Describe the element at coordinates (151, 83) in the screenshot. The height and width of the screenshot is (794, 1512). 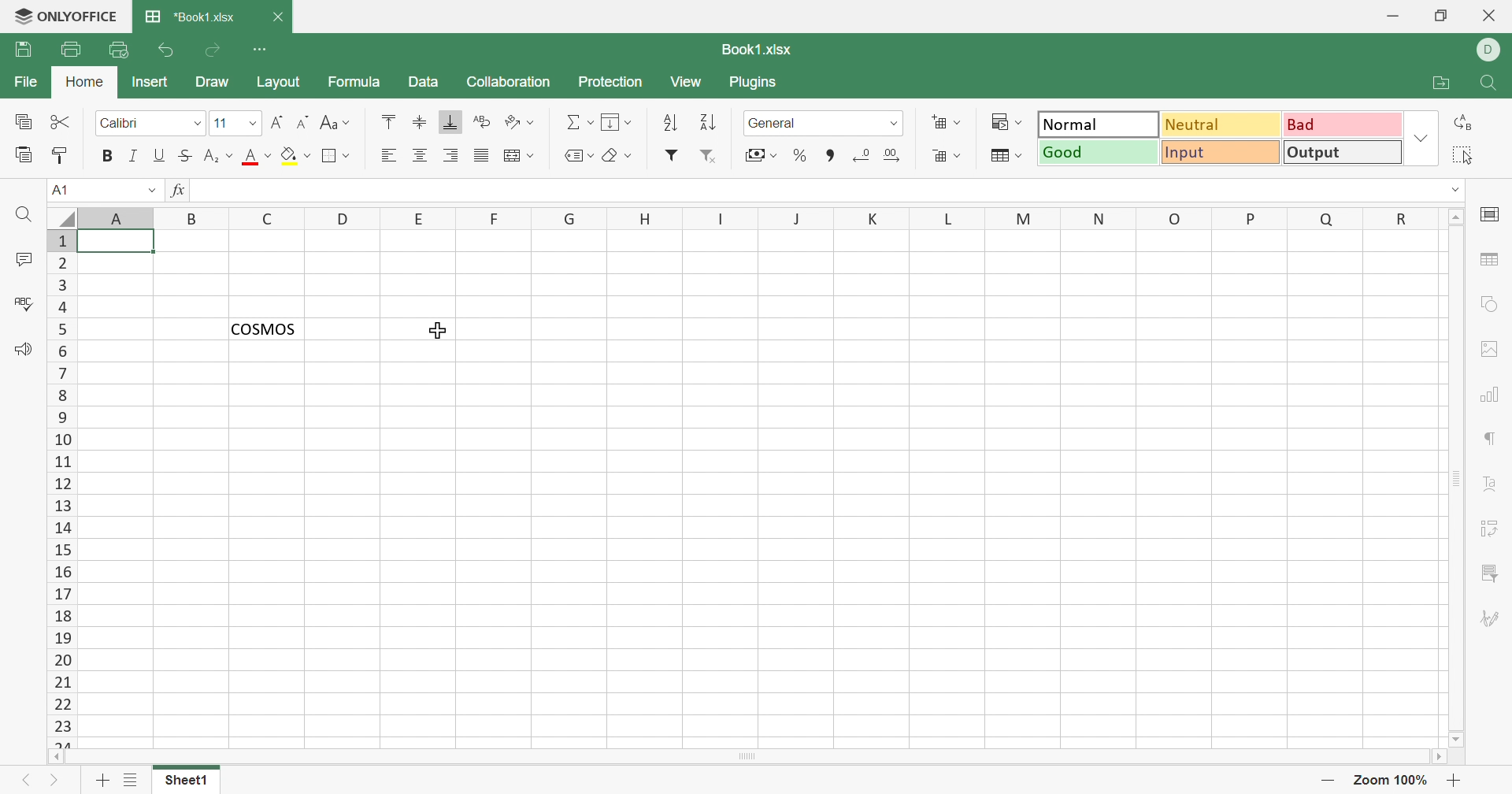
I see `Insert` at that location.